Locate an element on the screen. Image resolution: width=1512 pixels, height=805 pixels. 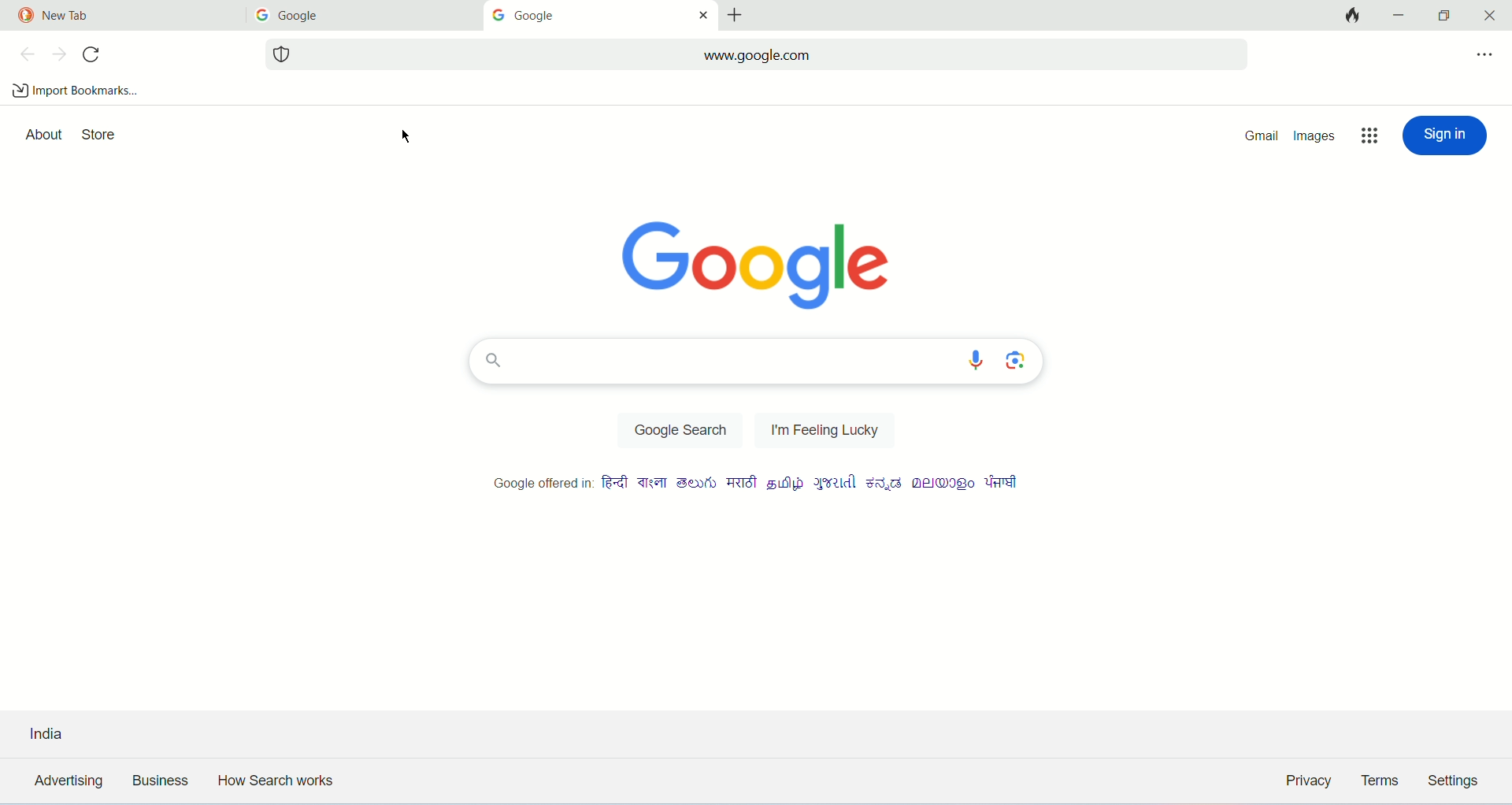
website tracking logo is located at coordinates (284, 55).